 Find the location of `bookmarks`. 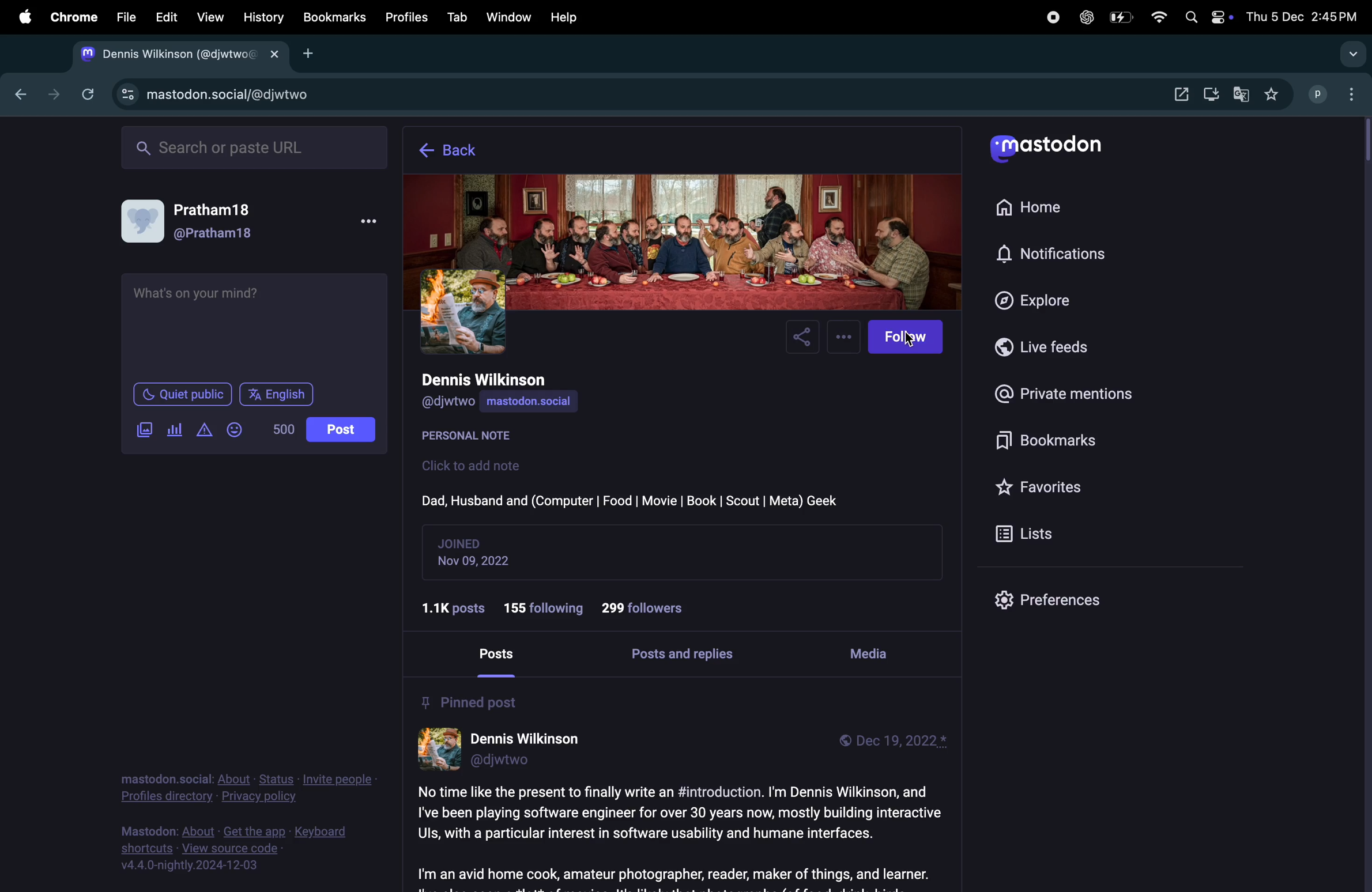

bookmarks is located at coordinates (1046, 440).